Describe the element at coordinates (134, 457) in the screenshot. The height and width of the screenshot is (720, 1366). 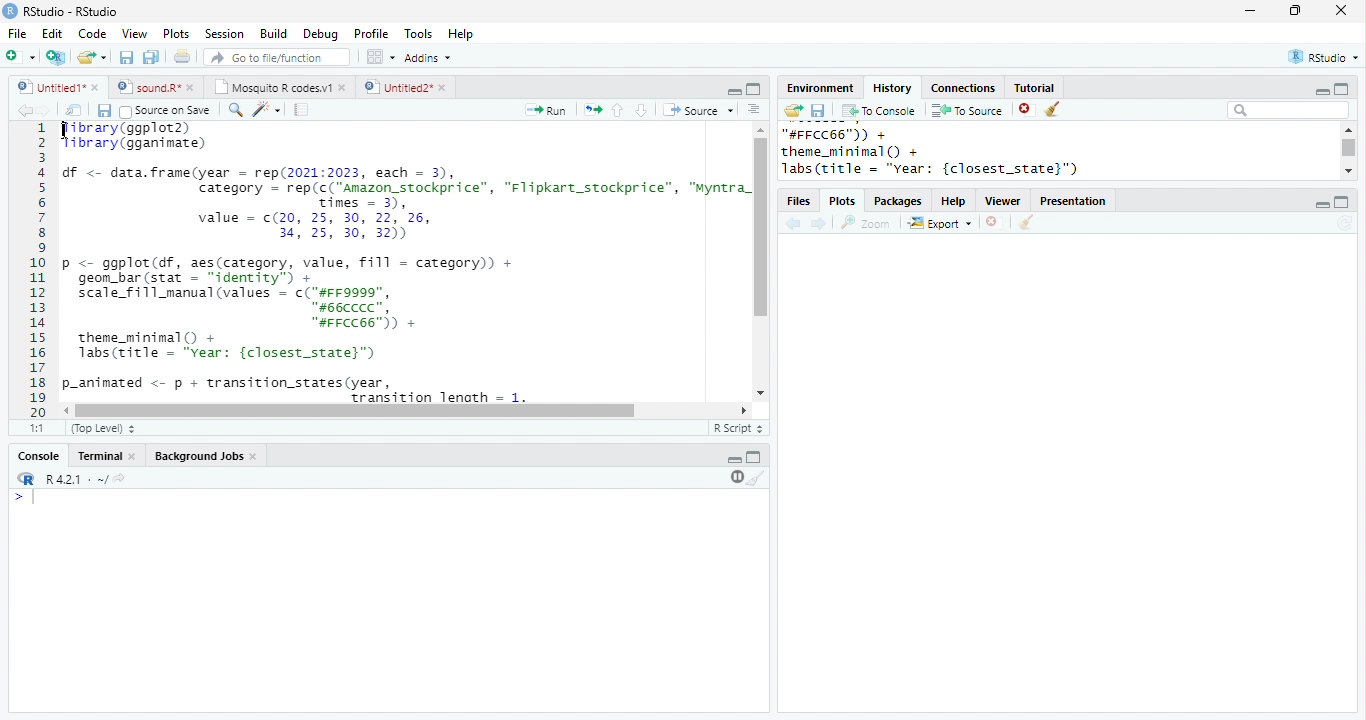
I see `close` at that location.